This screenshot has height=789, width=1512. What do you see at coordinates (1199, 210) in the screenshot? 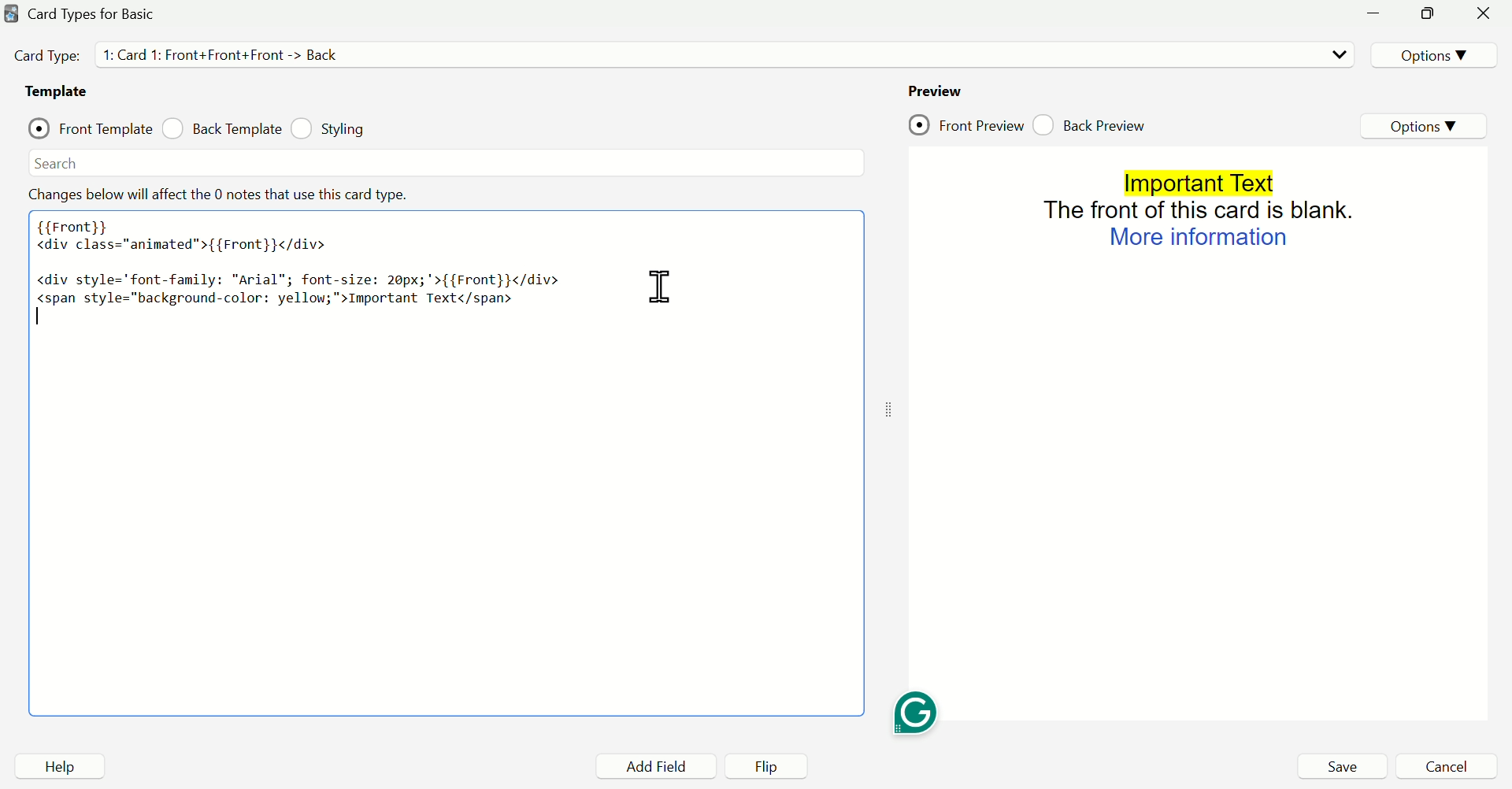
I see `The Front of this card is blank` at bounding box center [1199, 210].